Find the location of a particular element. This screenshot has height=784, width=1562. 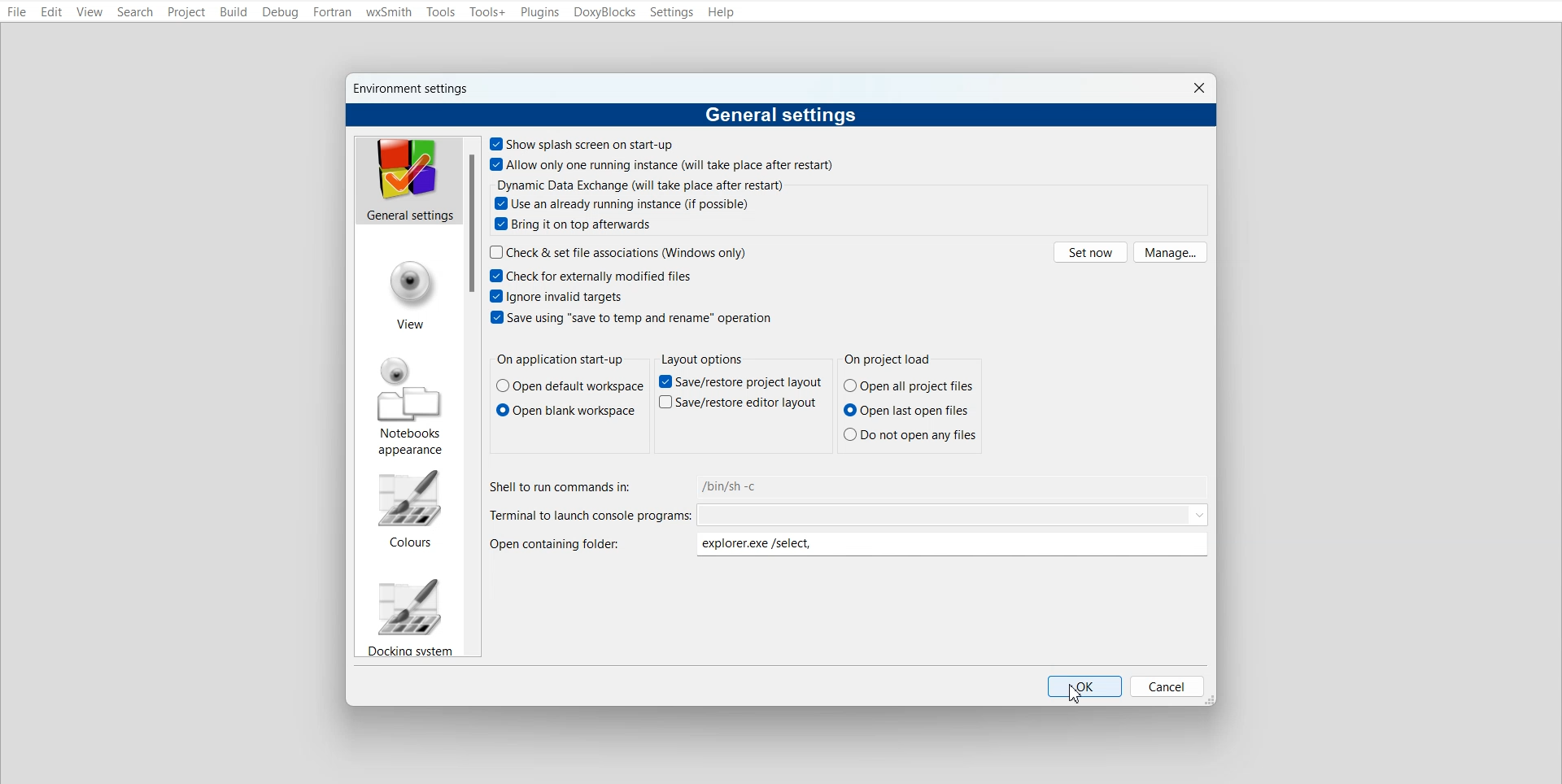

DoxyBlocks is located at coordinates (605, 12).